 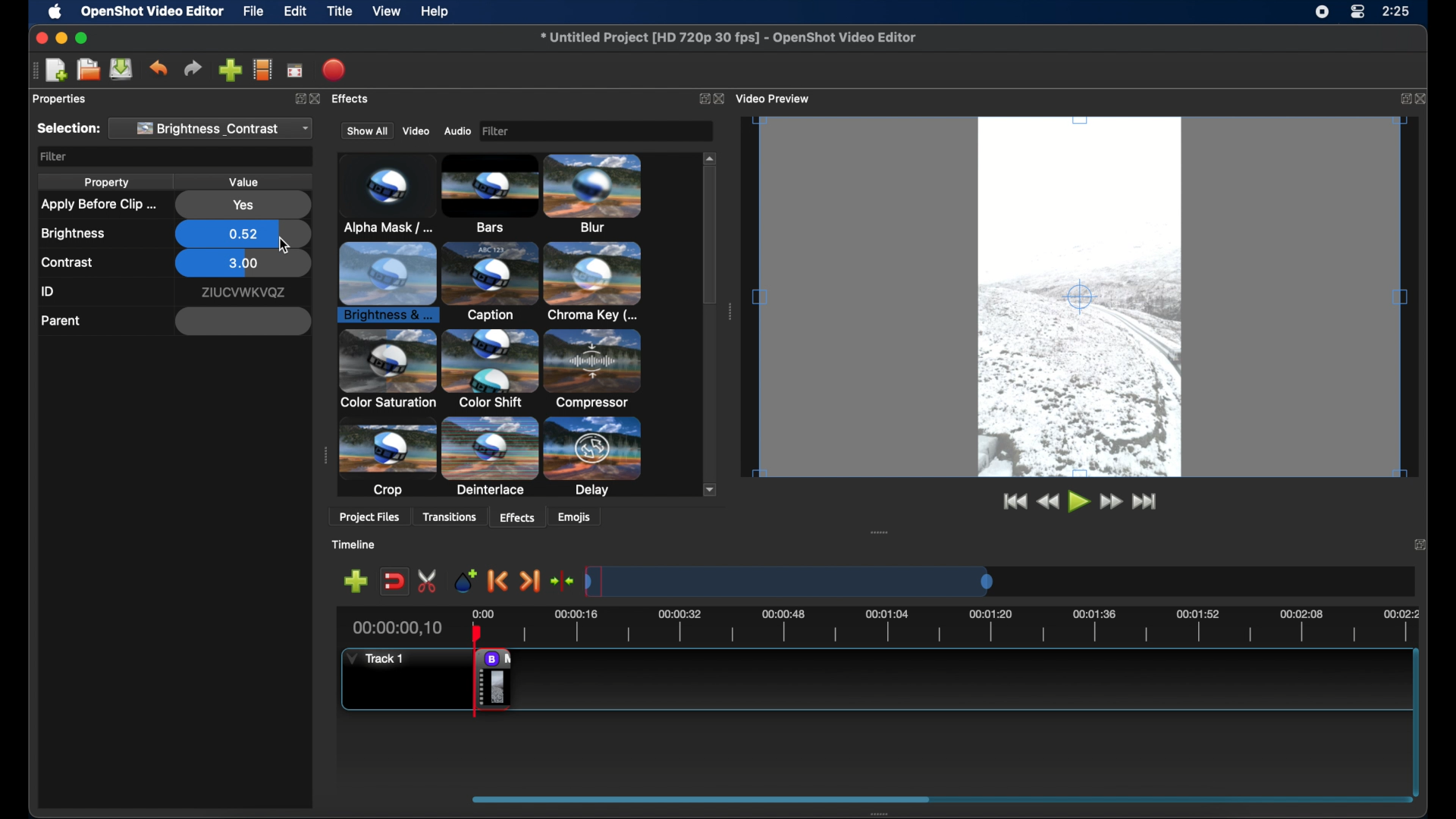 What do you see at coordinates (728, 38) in the screenshot?
I see `file name` at bounding box center [728, 38].